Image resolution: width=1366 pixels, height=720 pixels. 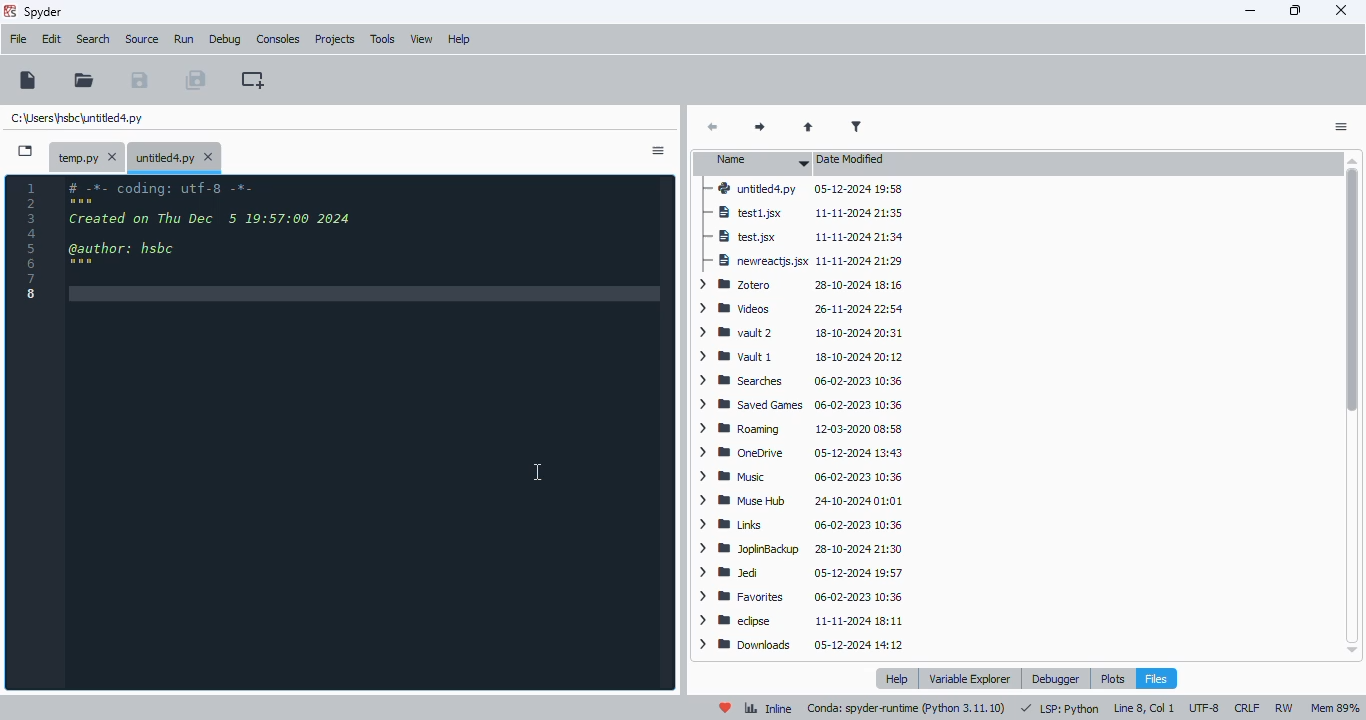 I want to click on minimize, so click(x=1251, y=11).